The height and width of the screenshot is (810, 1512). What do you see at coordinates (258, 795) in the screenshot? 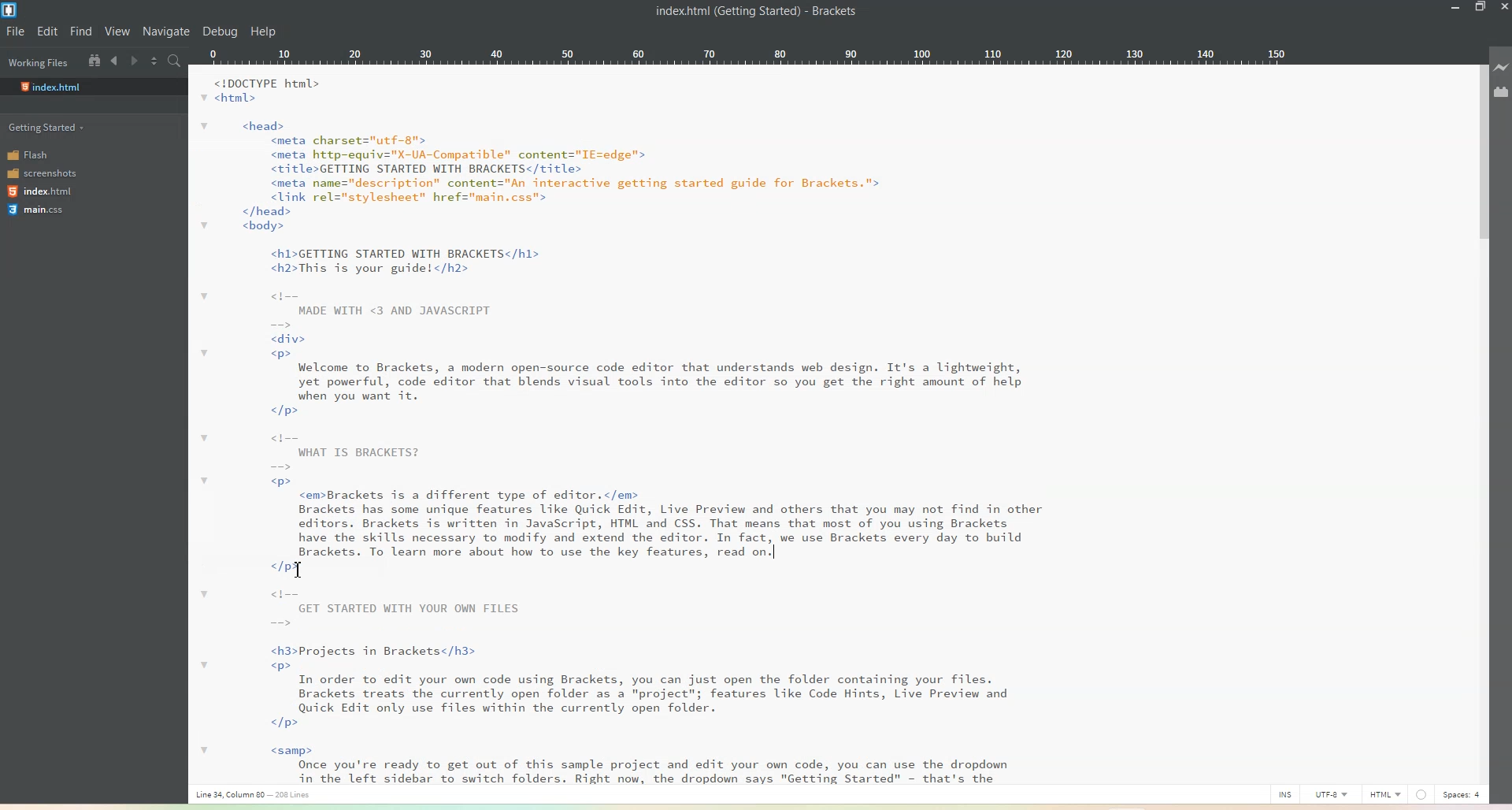
I see `Text 3` at bounding box center [258, 795].